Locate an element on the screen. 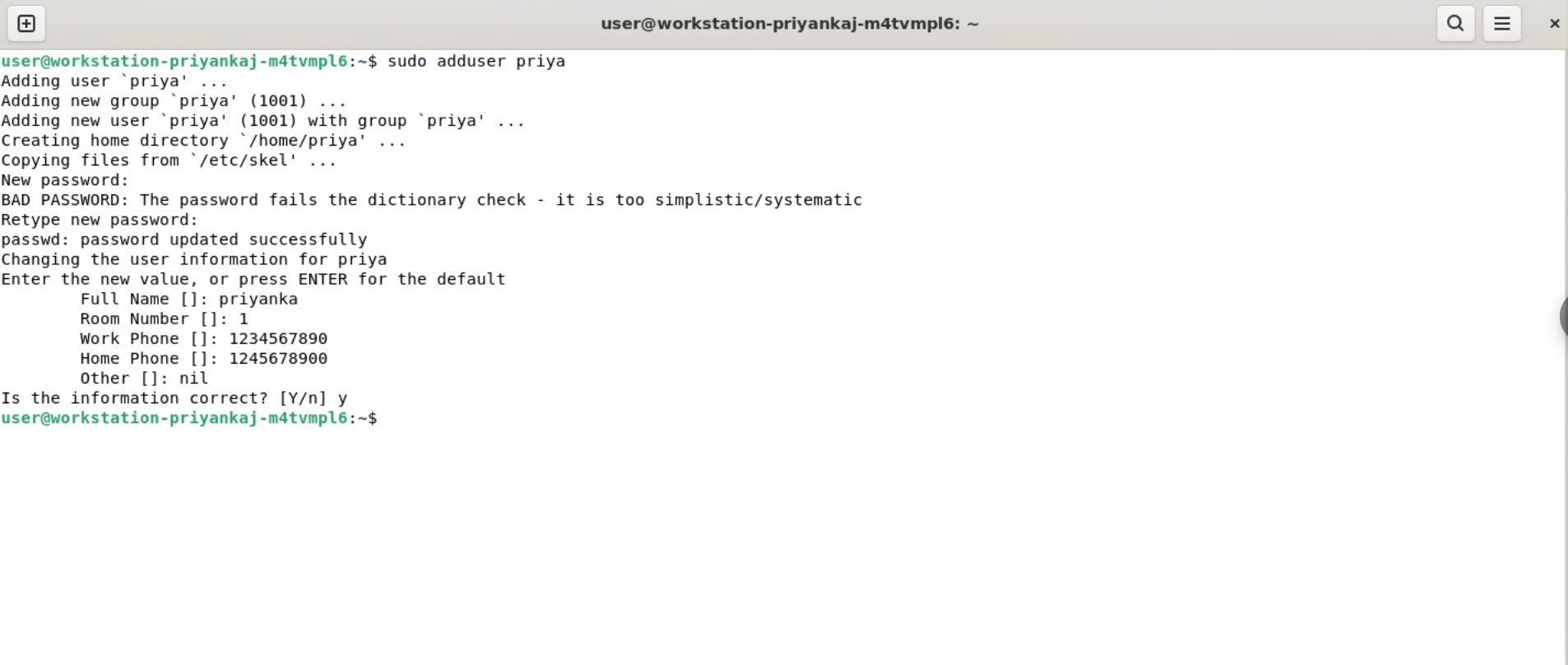  is thie information correct? [Y/n] is located at coordinates (164, 398).